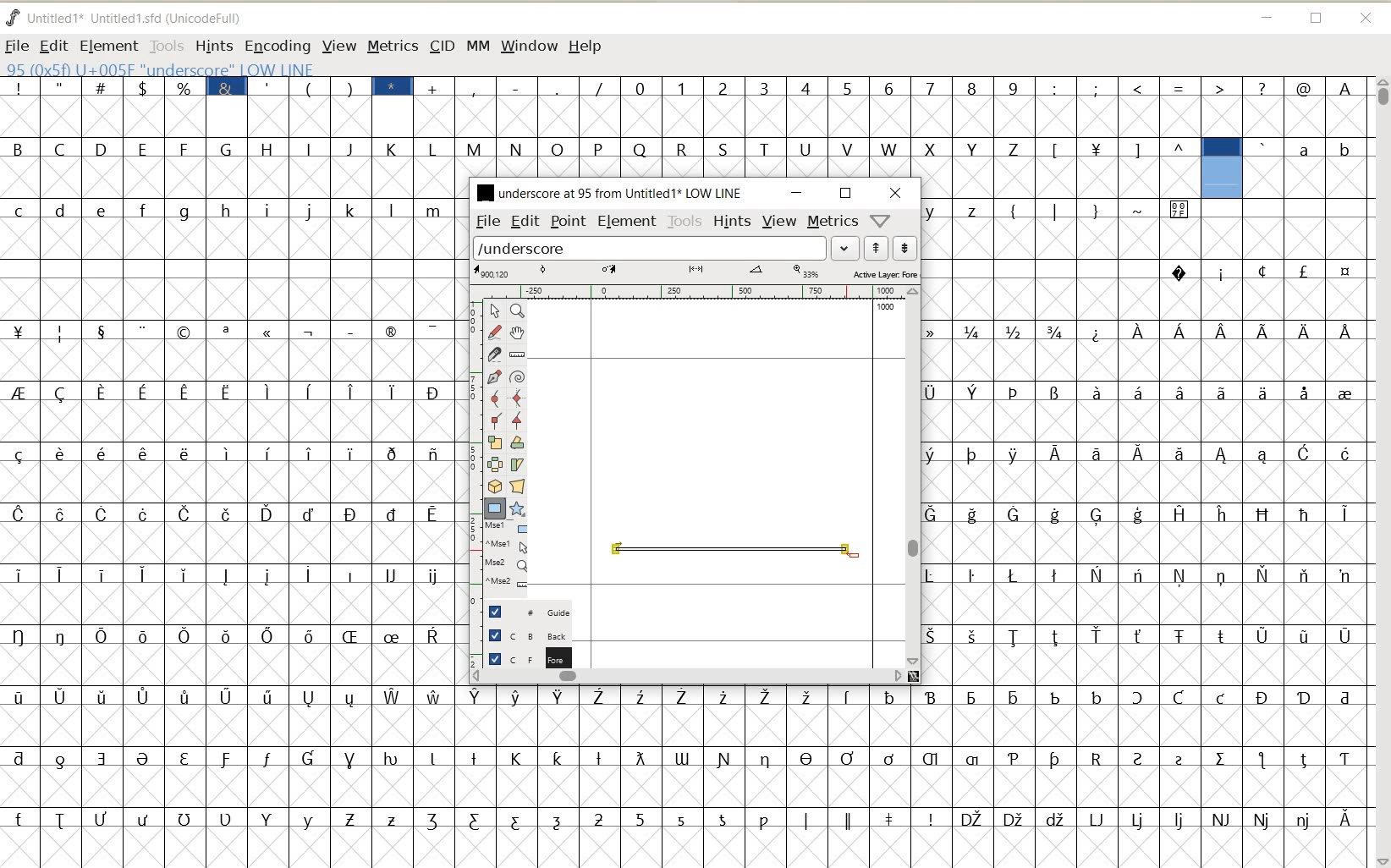 The height and width of the screenshot is (868, 1391). I want to click on EDIT, so click(52, 47).